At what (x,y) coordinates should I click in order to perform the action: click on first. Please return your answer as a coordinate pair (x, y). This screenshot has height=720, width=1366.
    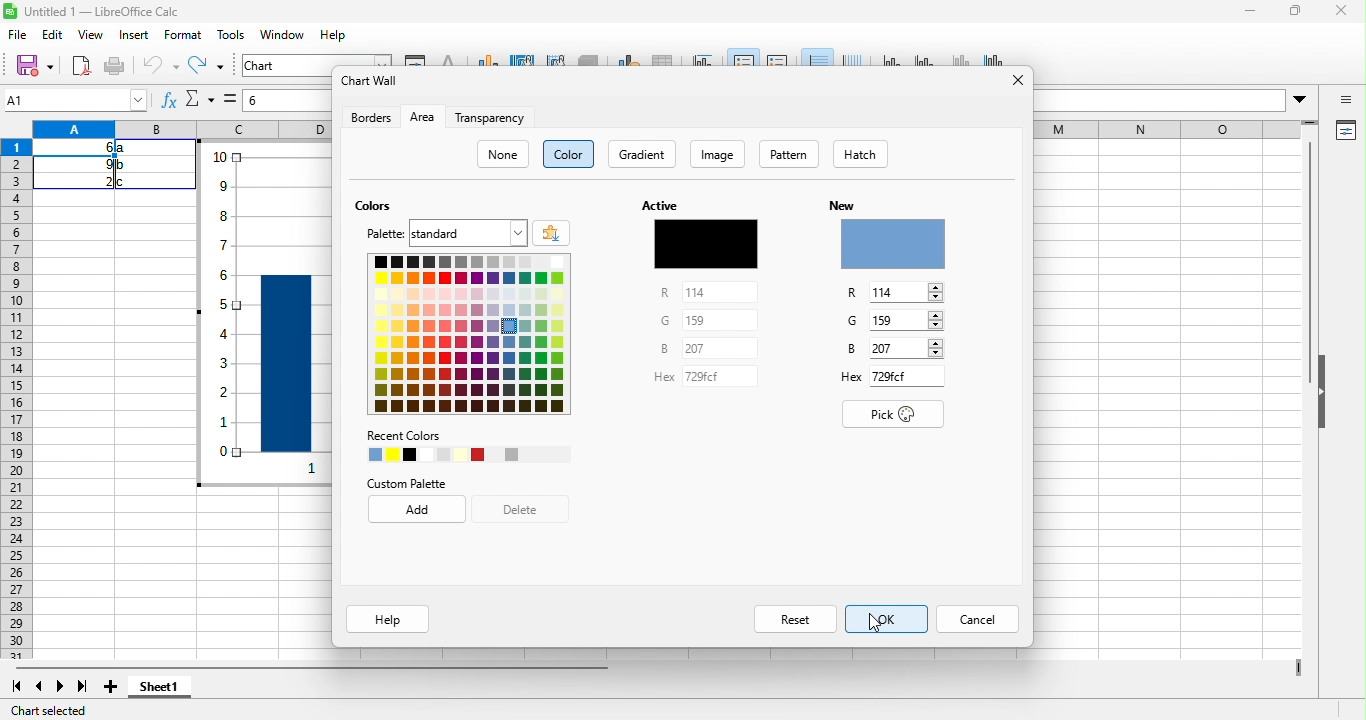
    Looking at the image, I should click on (21, 688).